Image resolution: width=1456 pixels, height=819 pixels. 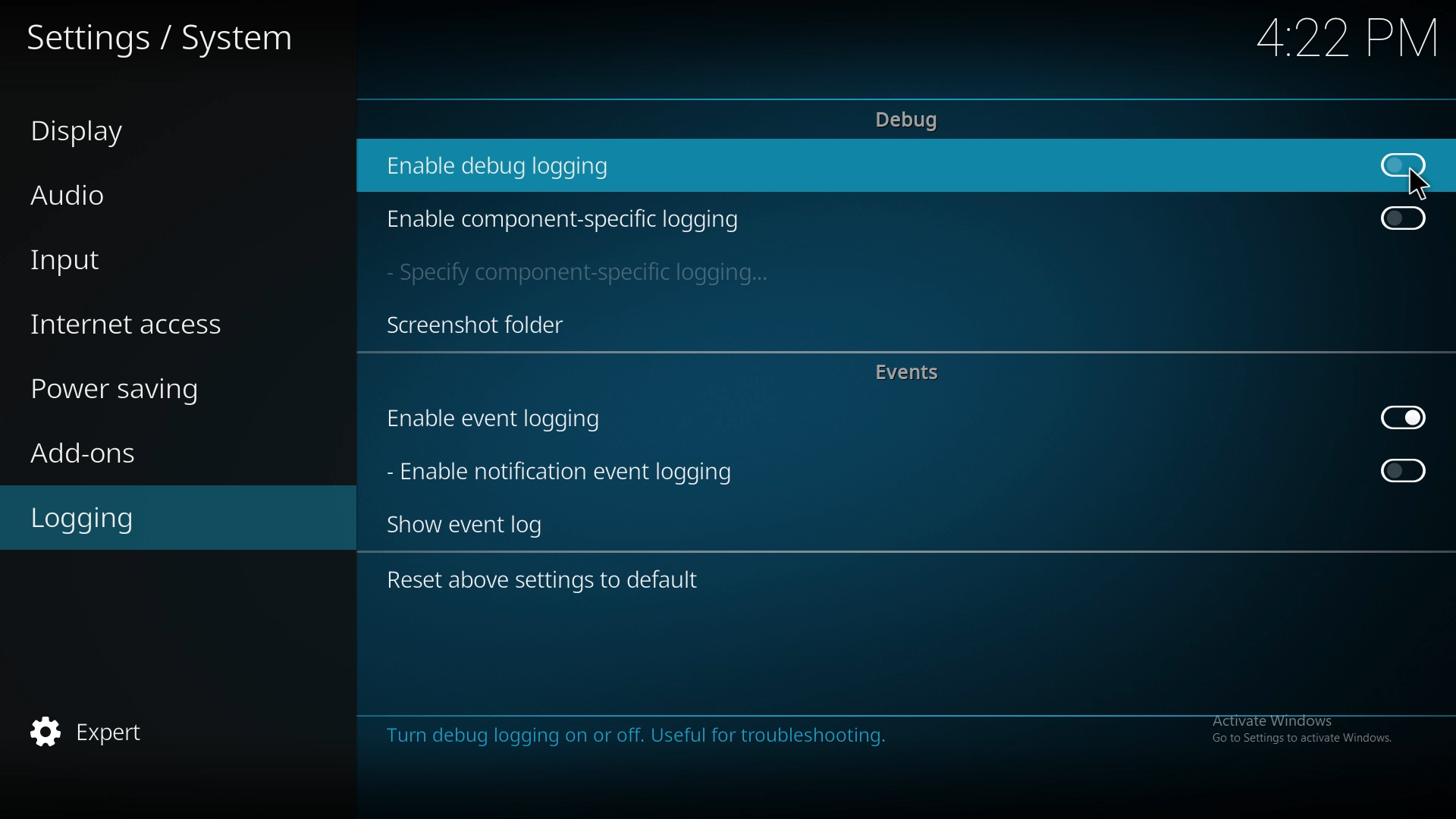 What do you see at coordinates (167, 326) in the screenshot?
I see `internet access` at bounding box center [167, 326].